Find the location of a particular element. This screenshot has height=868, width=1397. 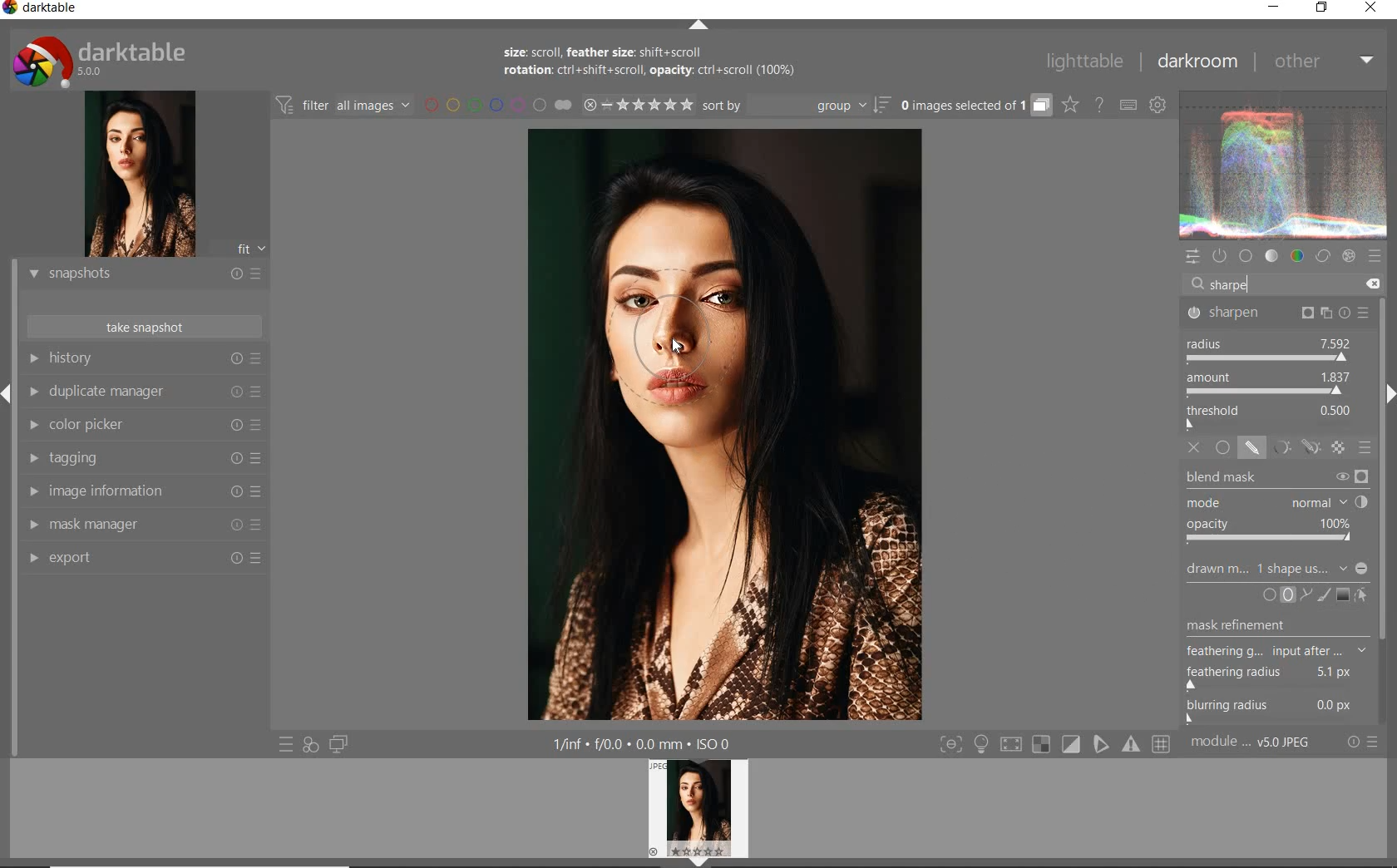

INPUT VALUE is located at coordinates (1235, 284).